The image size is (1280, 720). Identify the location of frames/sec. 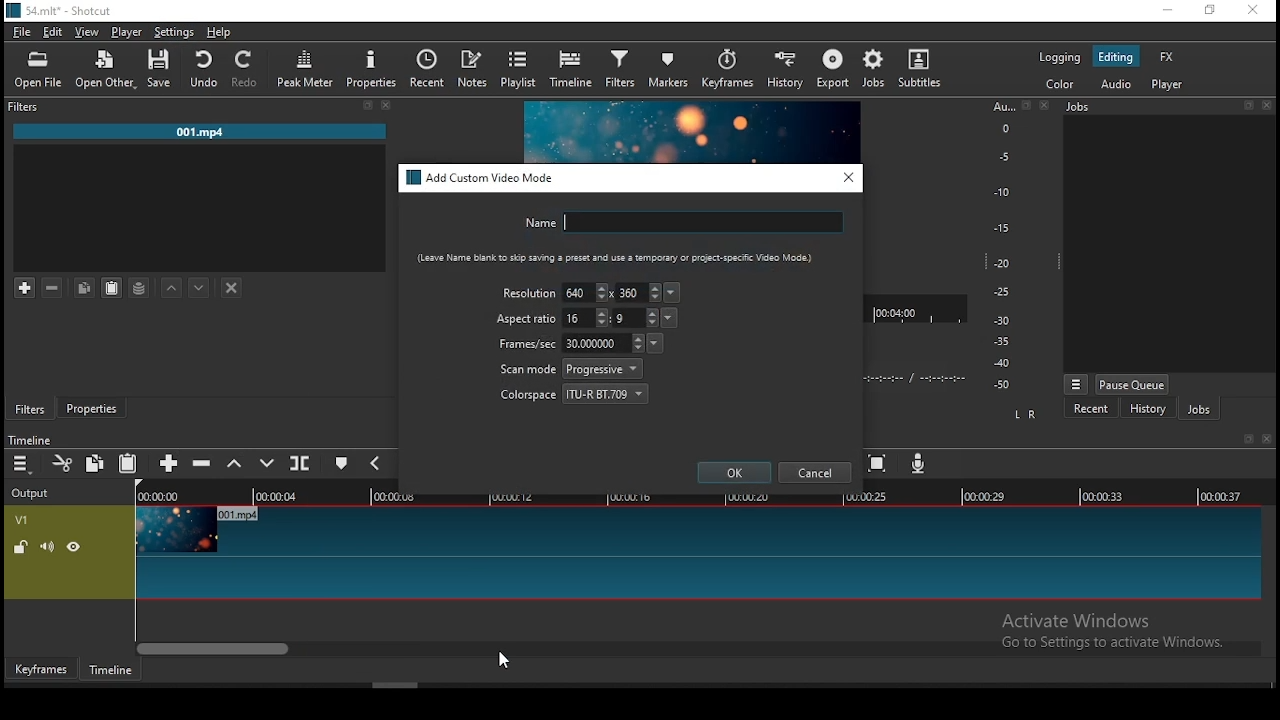
(569, 343).